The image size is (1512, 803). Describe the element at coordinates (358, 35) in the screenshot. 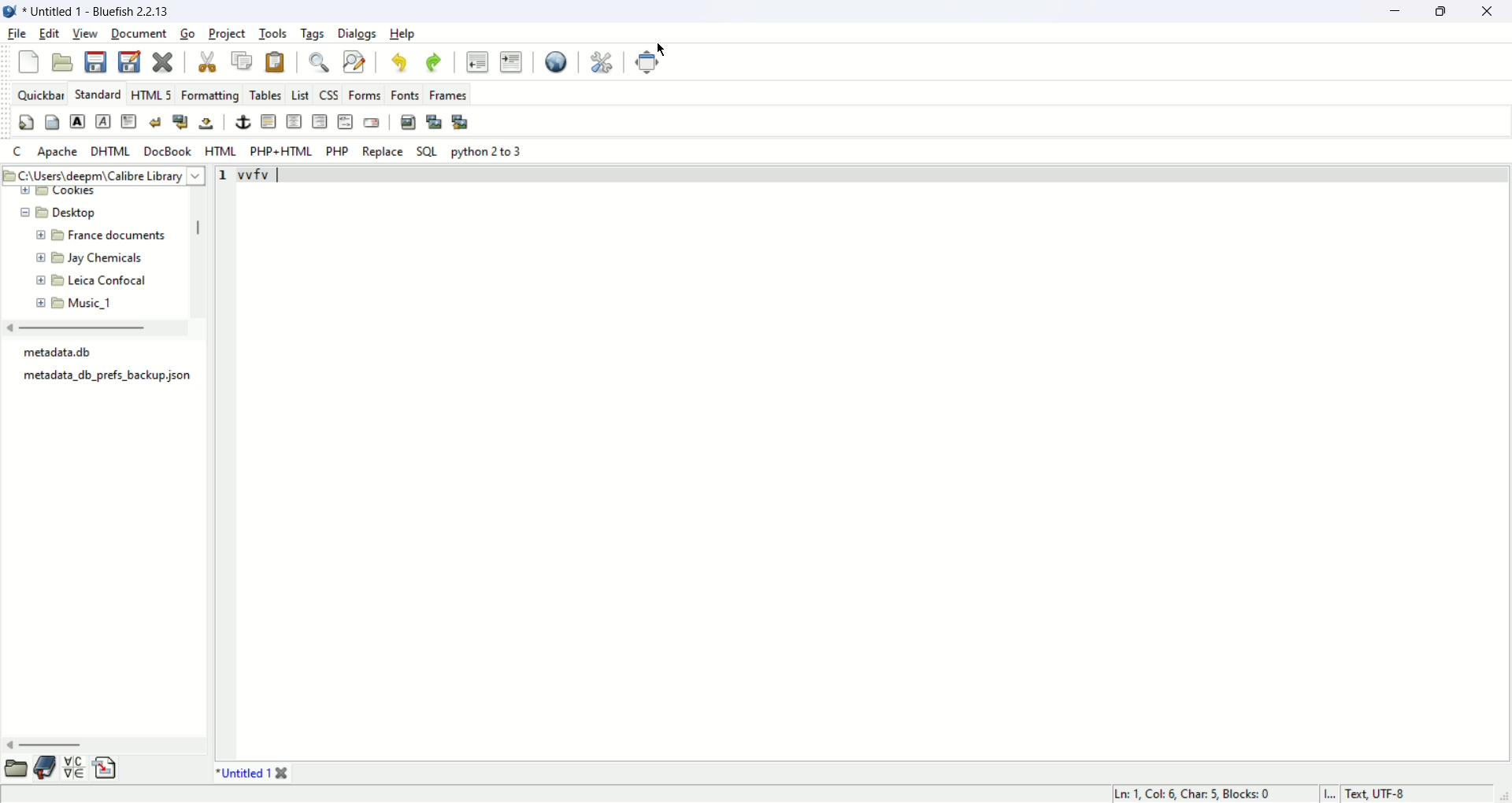

I see `dialogs` at that location.